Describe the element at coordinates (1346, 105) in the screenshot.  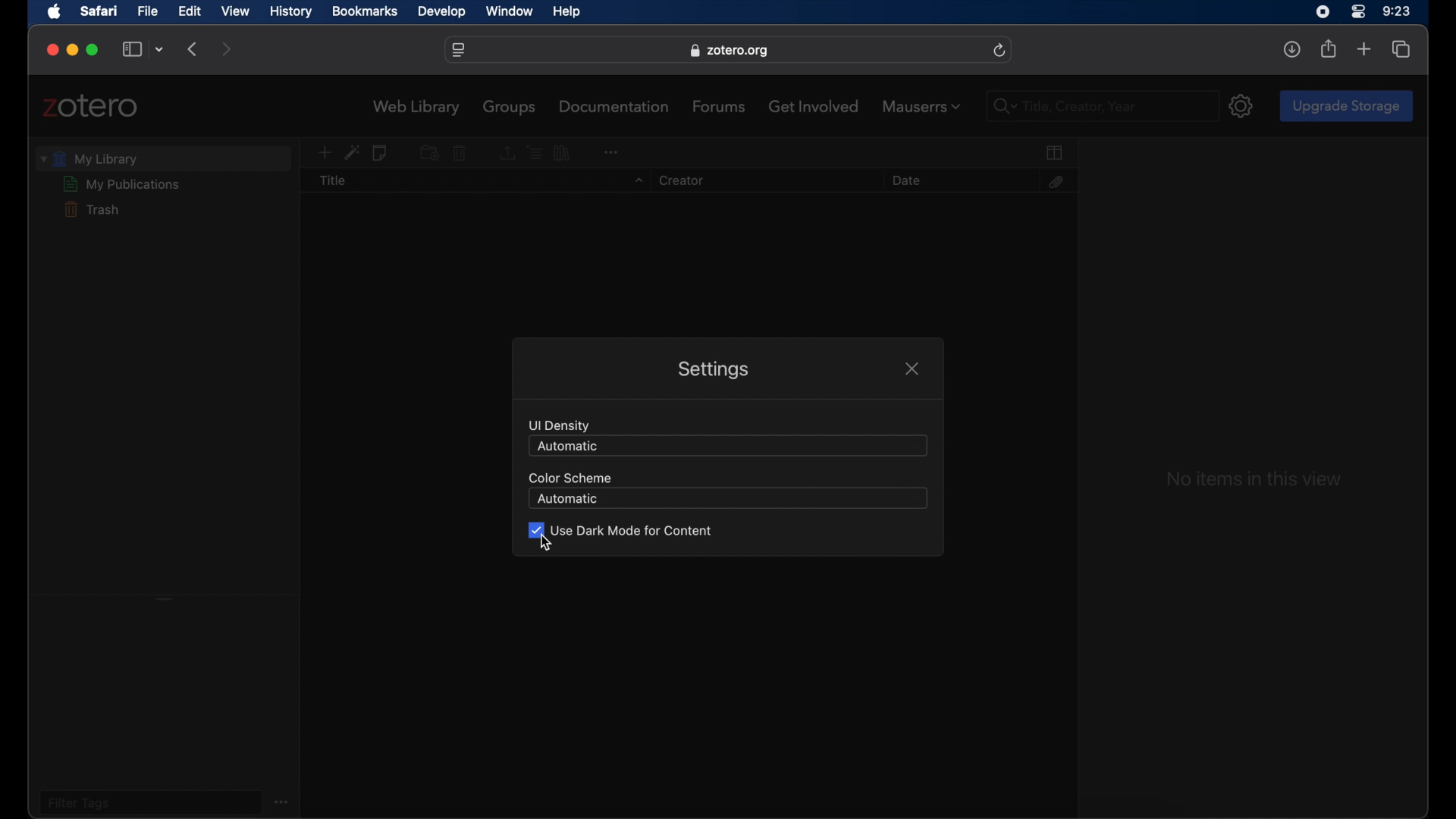
I see `upgrade storage` at that location.